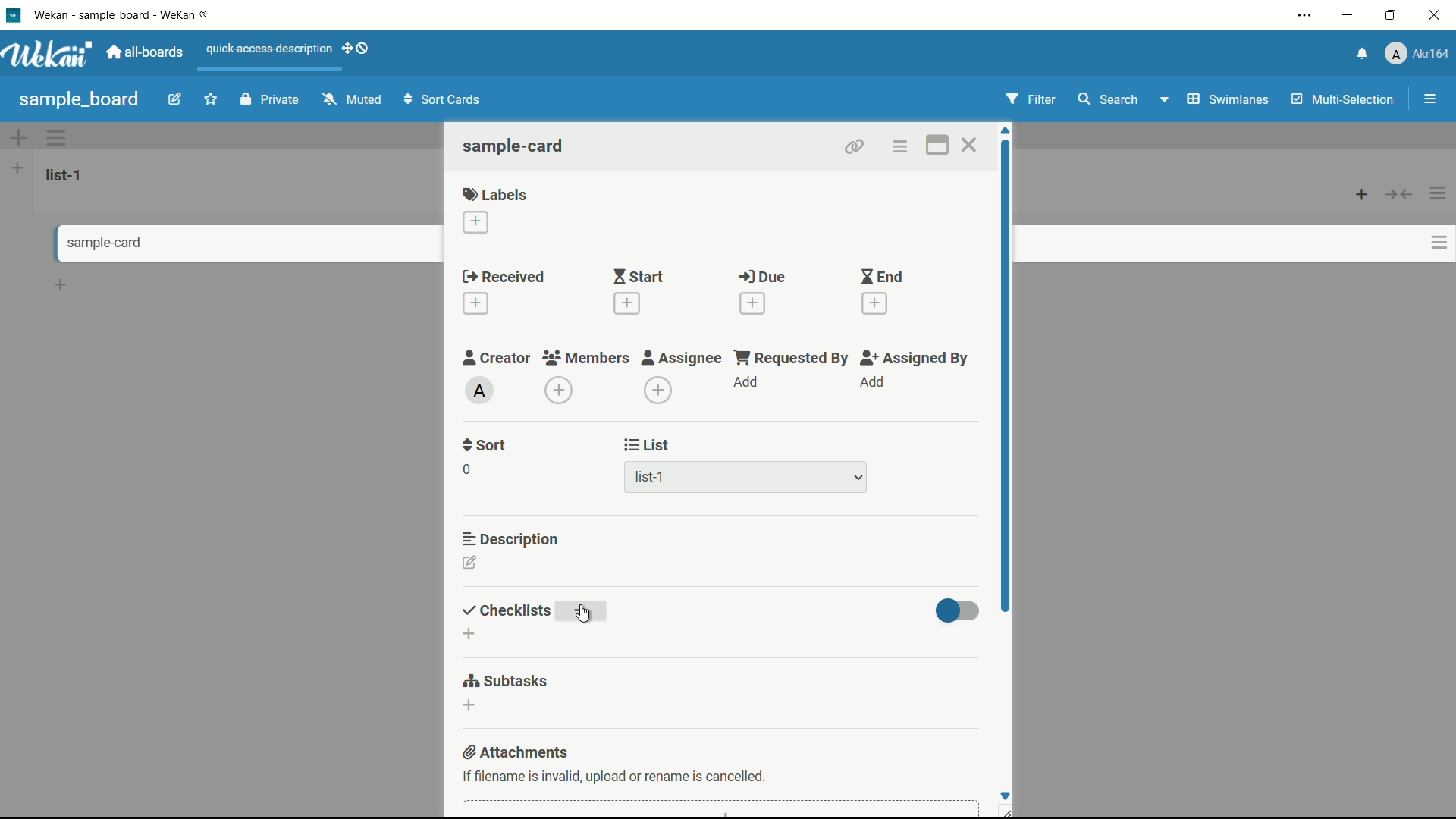  Describe the element at coordinates (1393, 16) in the screenshot. I see `maximize` at that location.